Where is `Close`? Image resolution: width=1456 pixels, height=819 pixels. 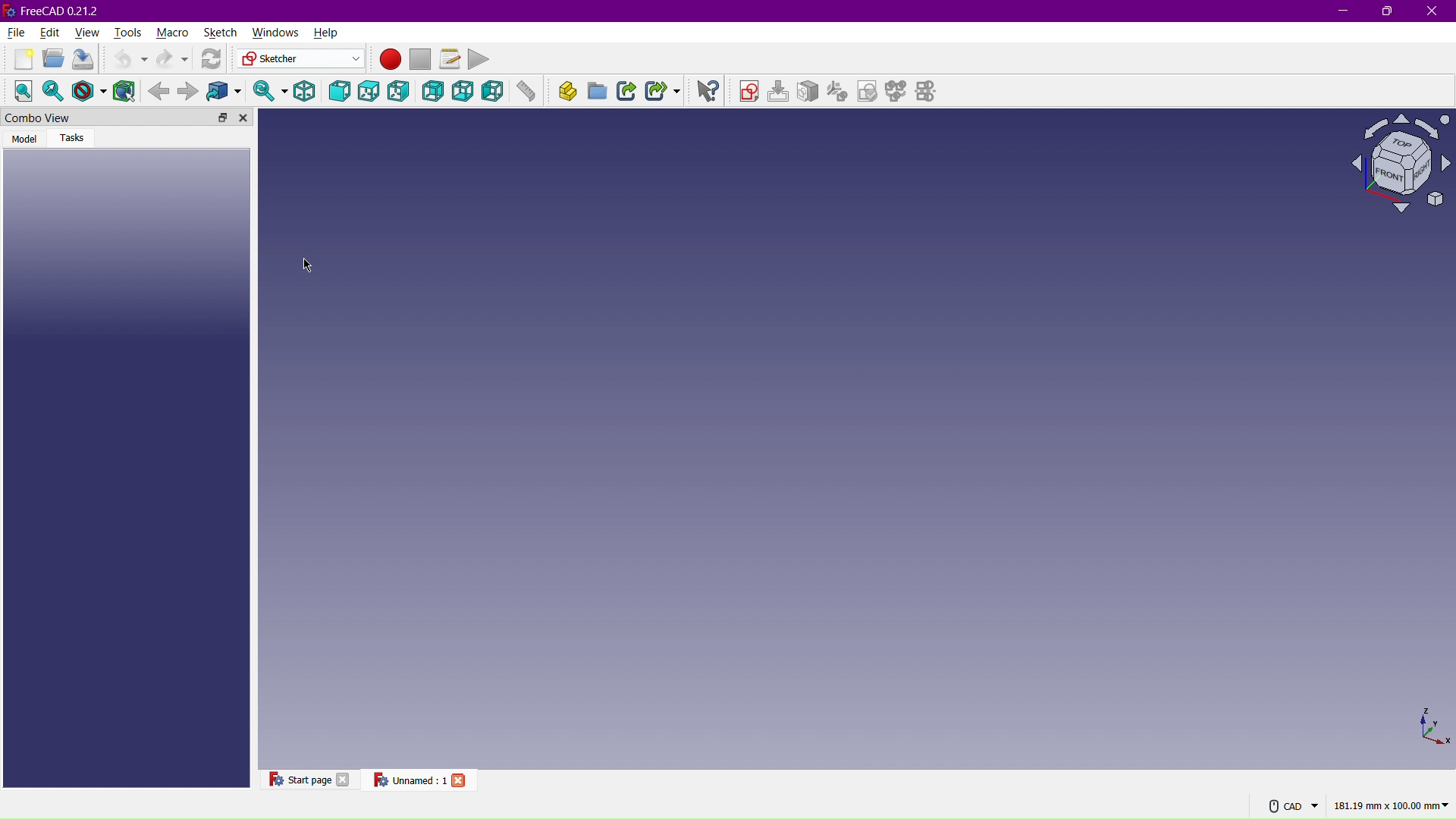 Close is located at coordinates (1435, 11).